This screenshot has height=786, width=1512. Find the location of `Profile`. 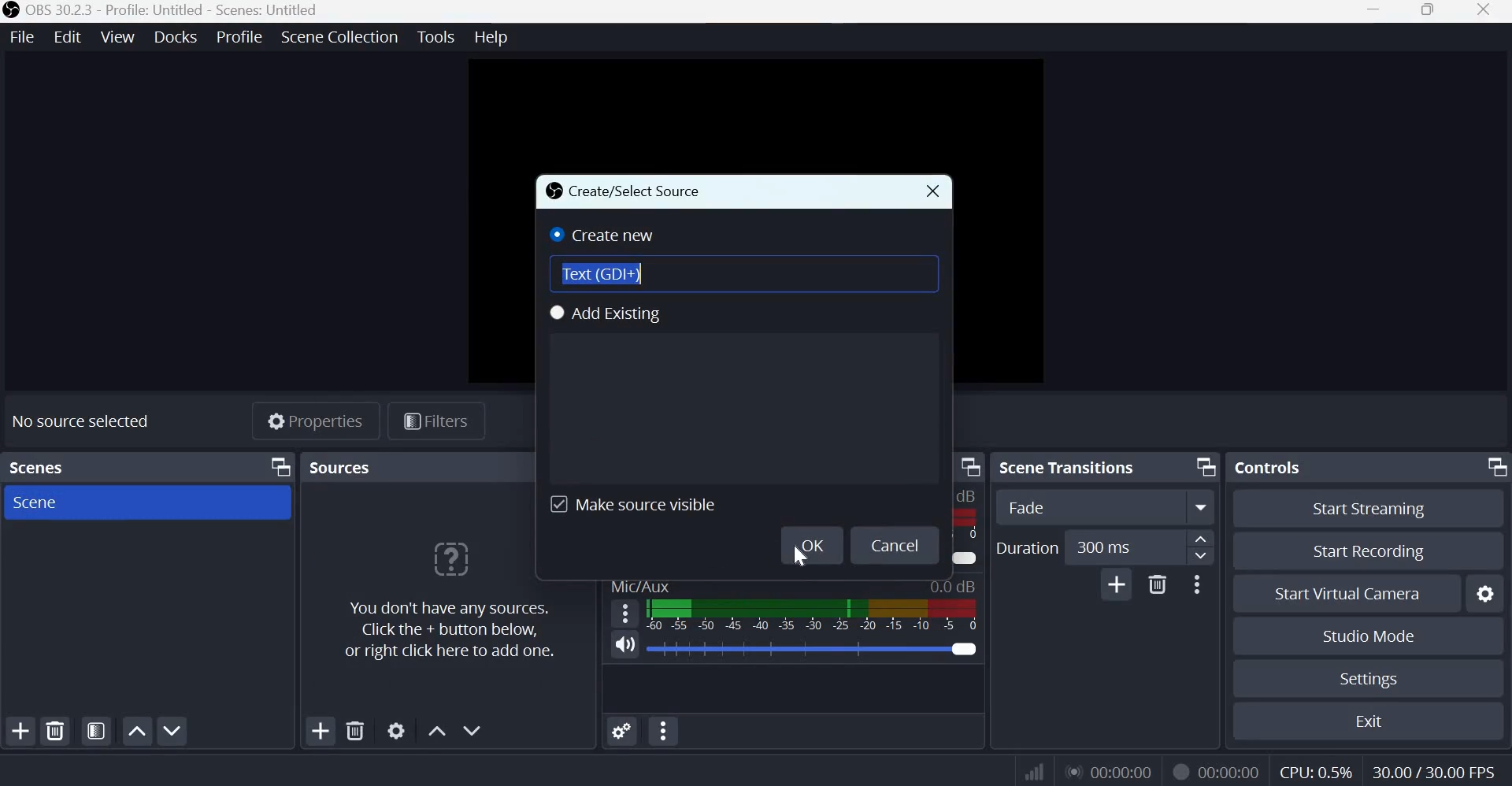

Profile is located at coordinates (239, 37).